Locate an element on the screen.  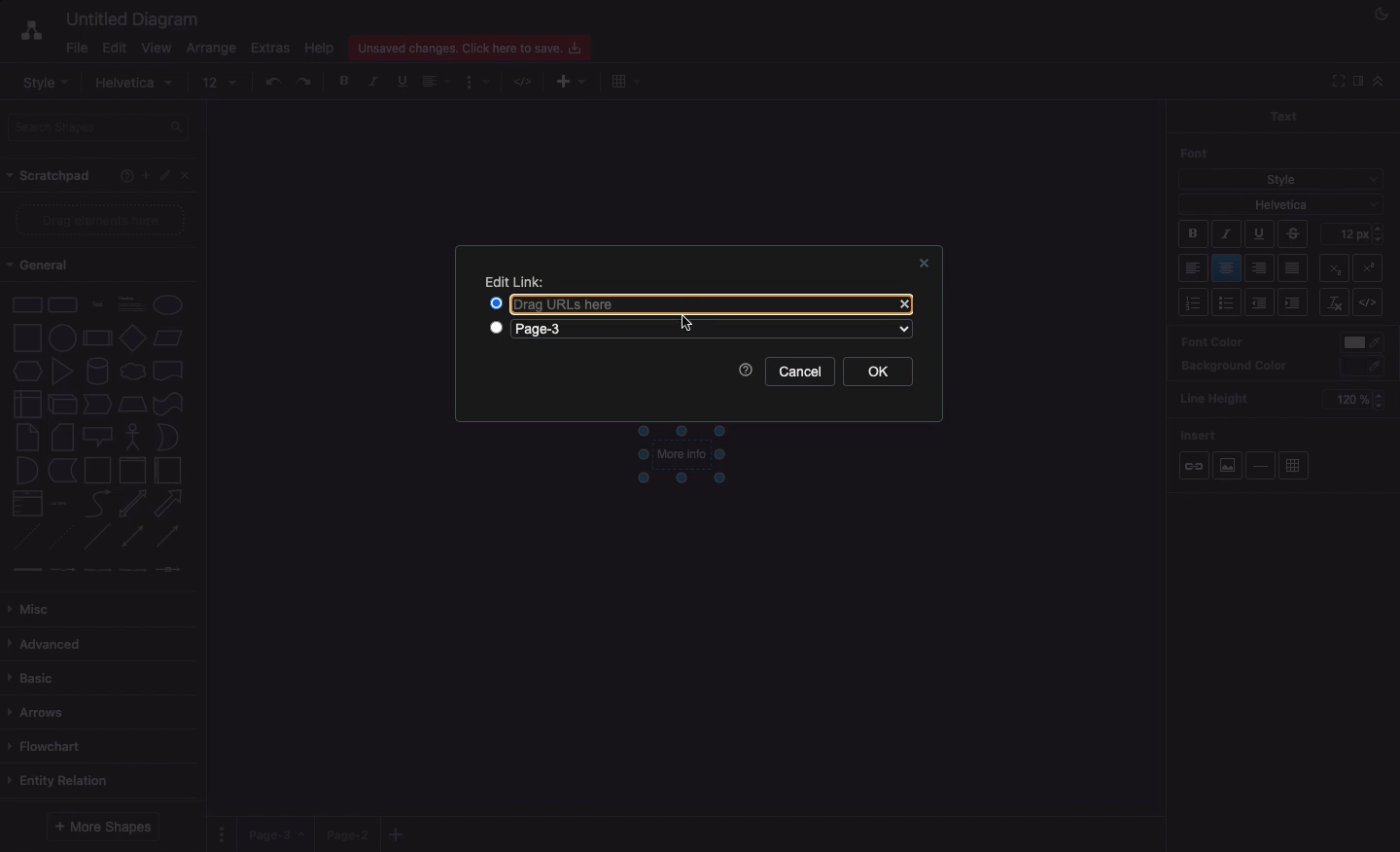
Close is located at coordinates (925, 263).